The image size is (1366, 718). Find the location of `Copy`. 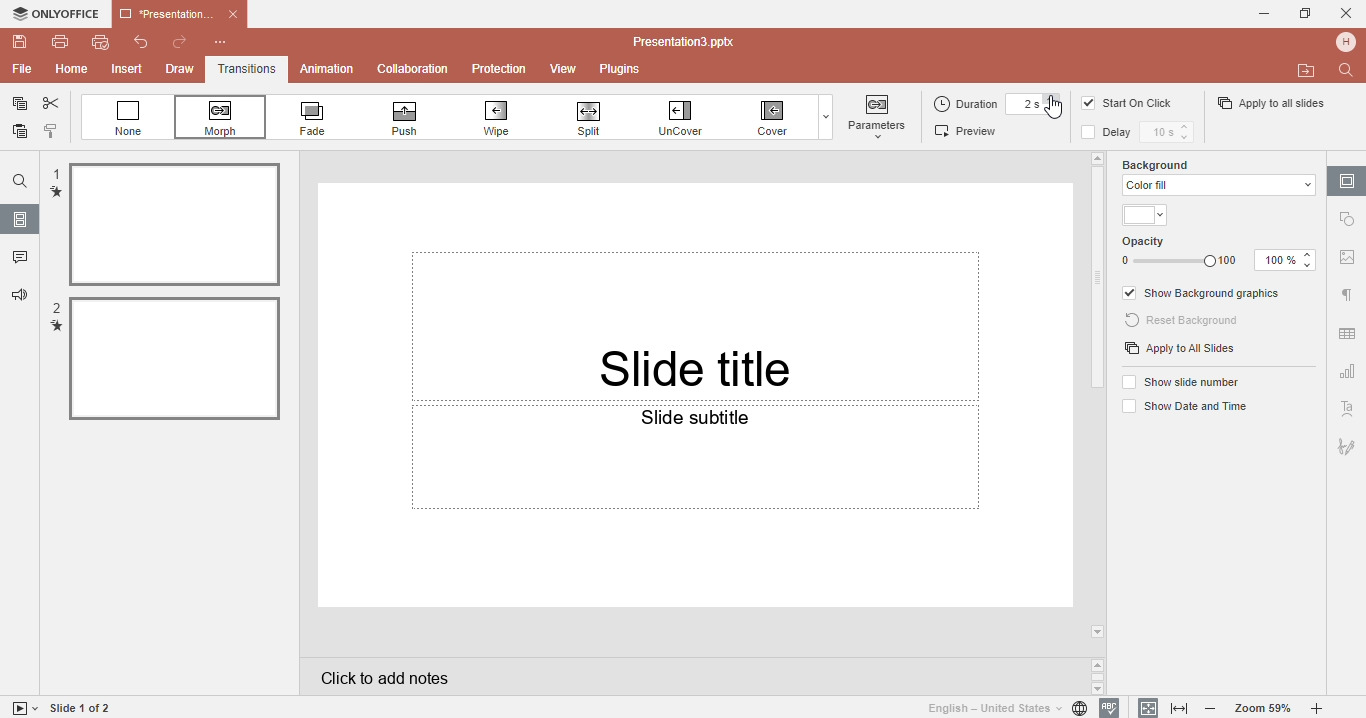

Copy is located at coordinates (16, 104).